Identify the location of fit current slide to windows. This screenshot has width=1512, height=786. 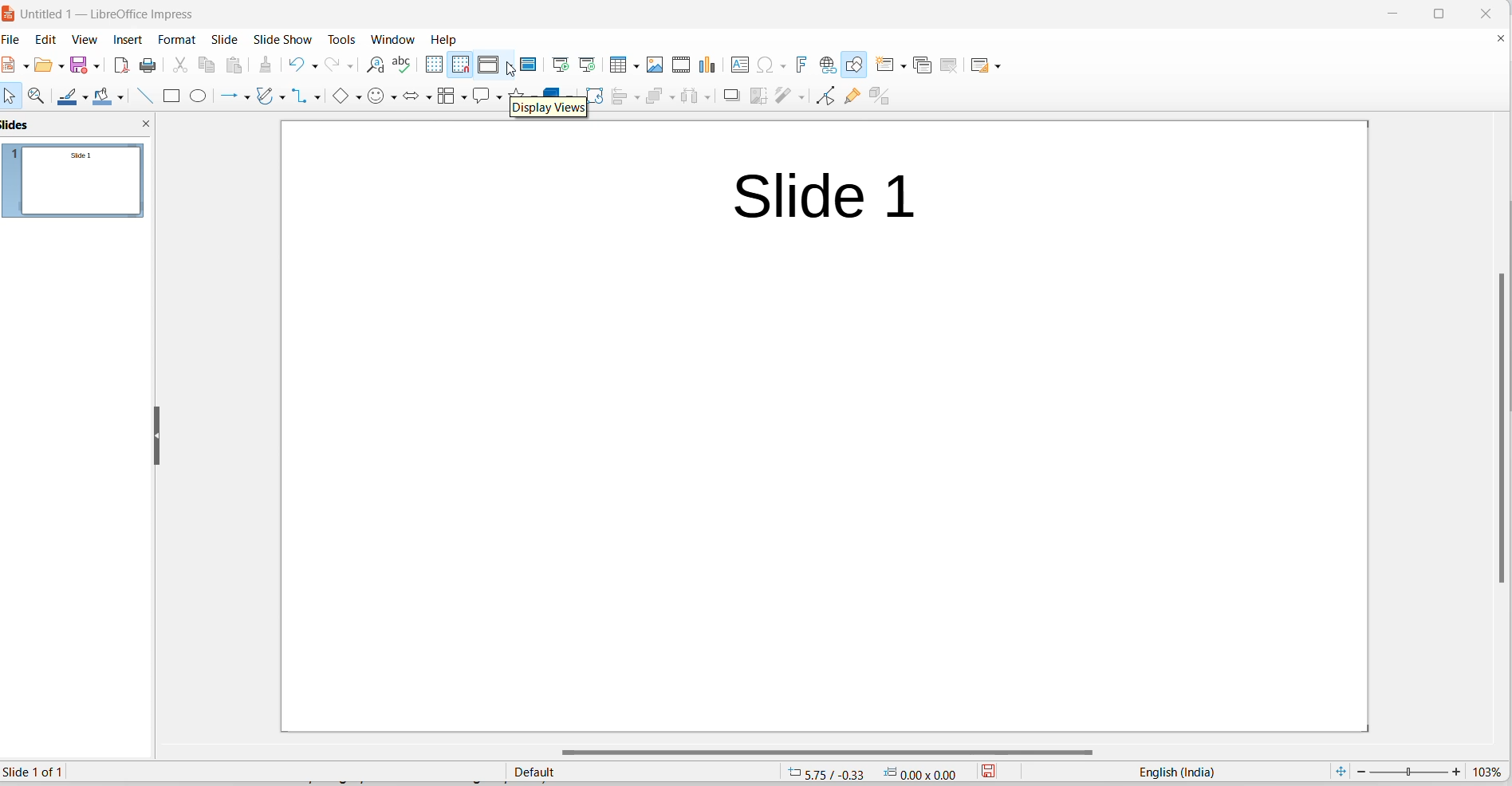
(1342, 771).